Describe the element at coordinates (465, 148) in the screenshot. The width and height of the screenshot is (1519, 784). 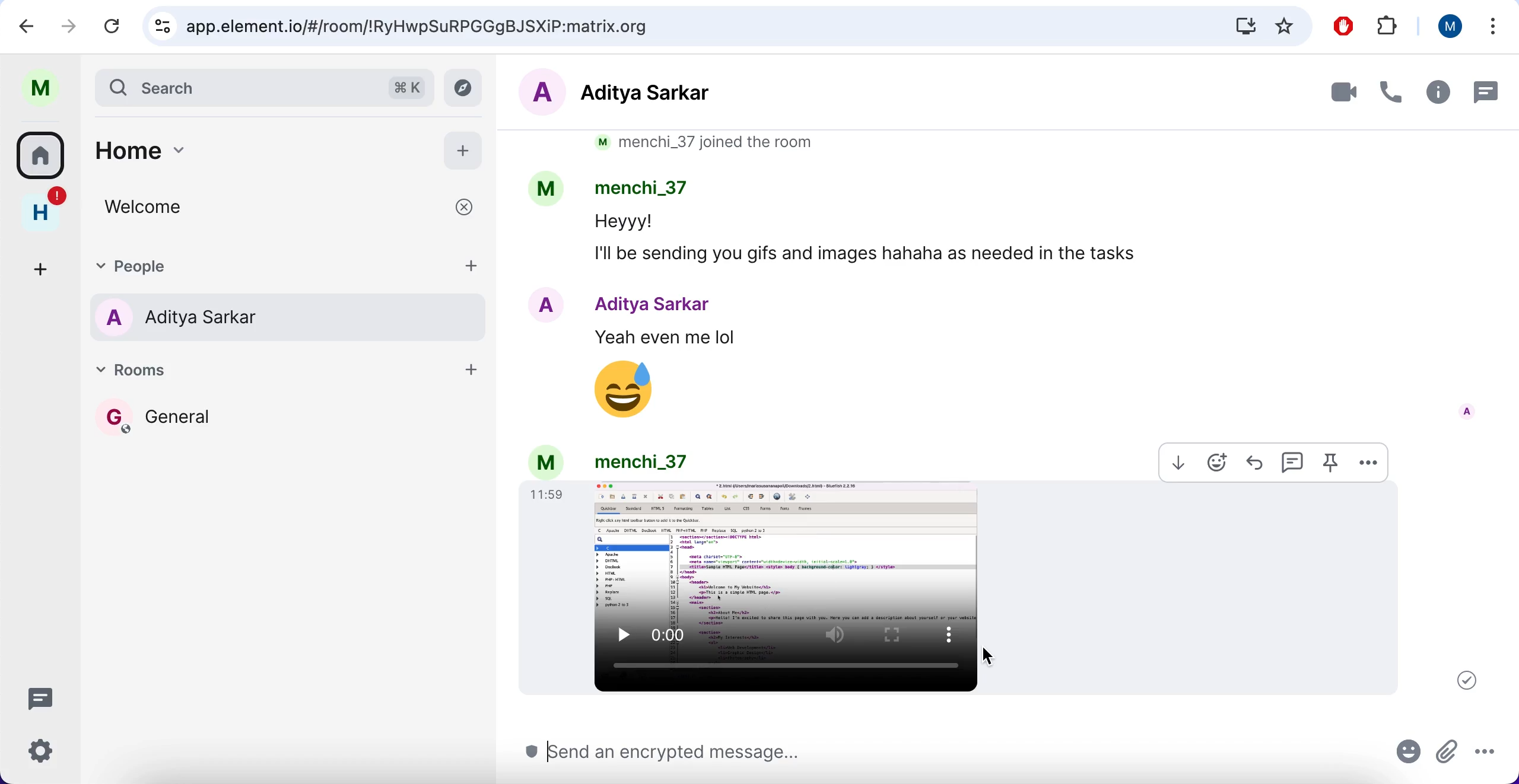
I see `add` at that location.